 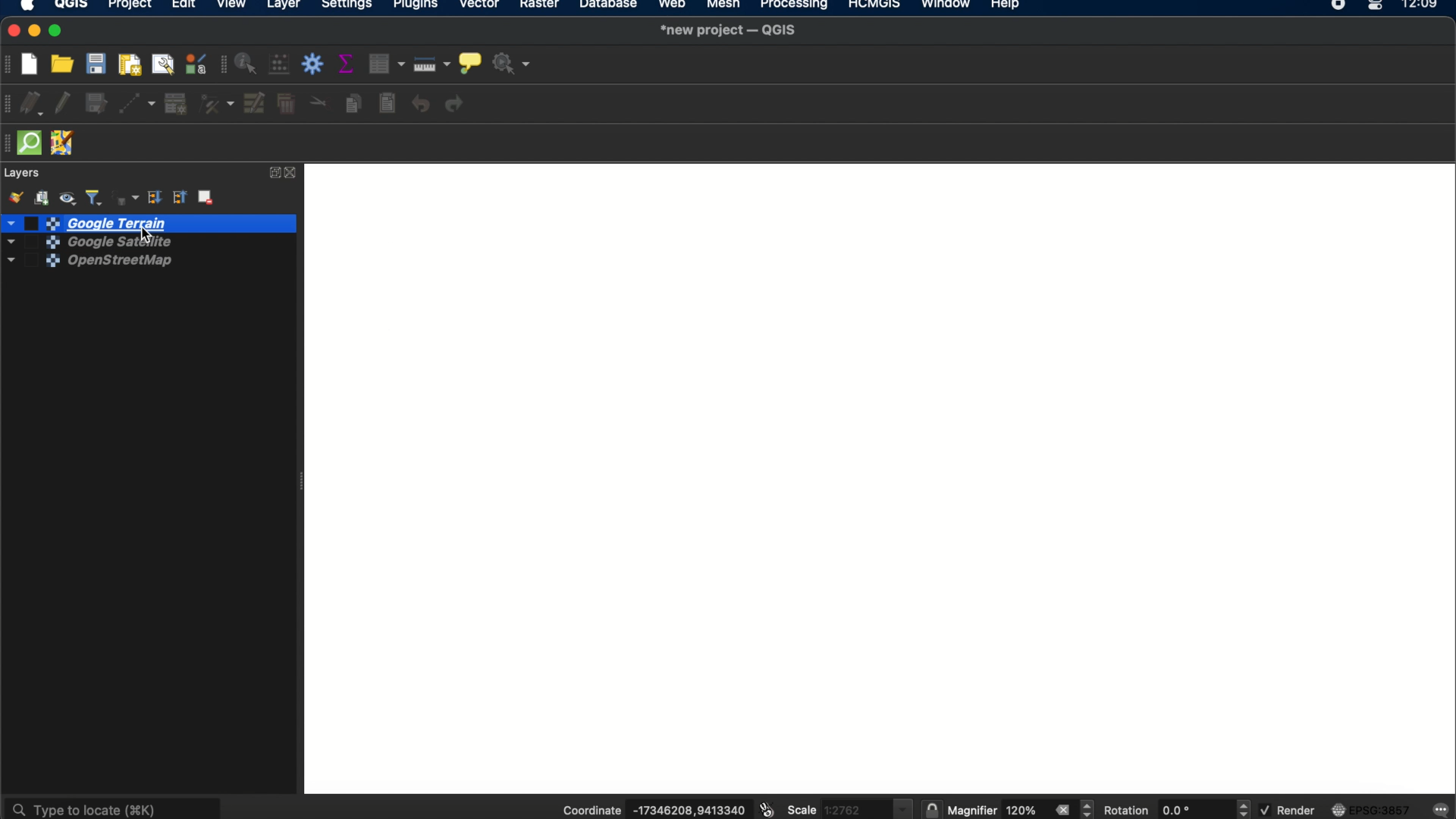 What do you see at coordinates (873, 6) in the screenshot?
I see `HCMGIS` at bounding box center [873, 6].